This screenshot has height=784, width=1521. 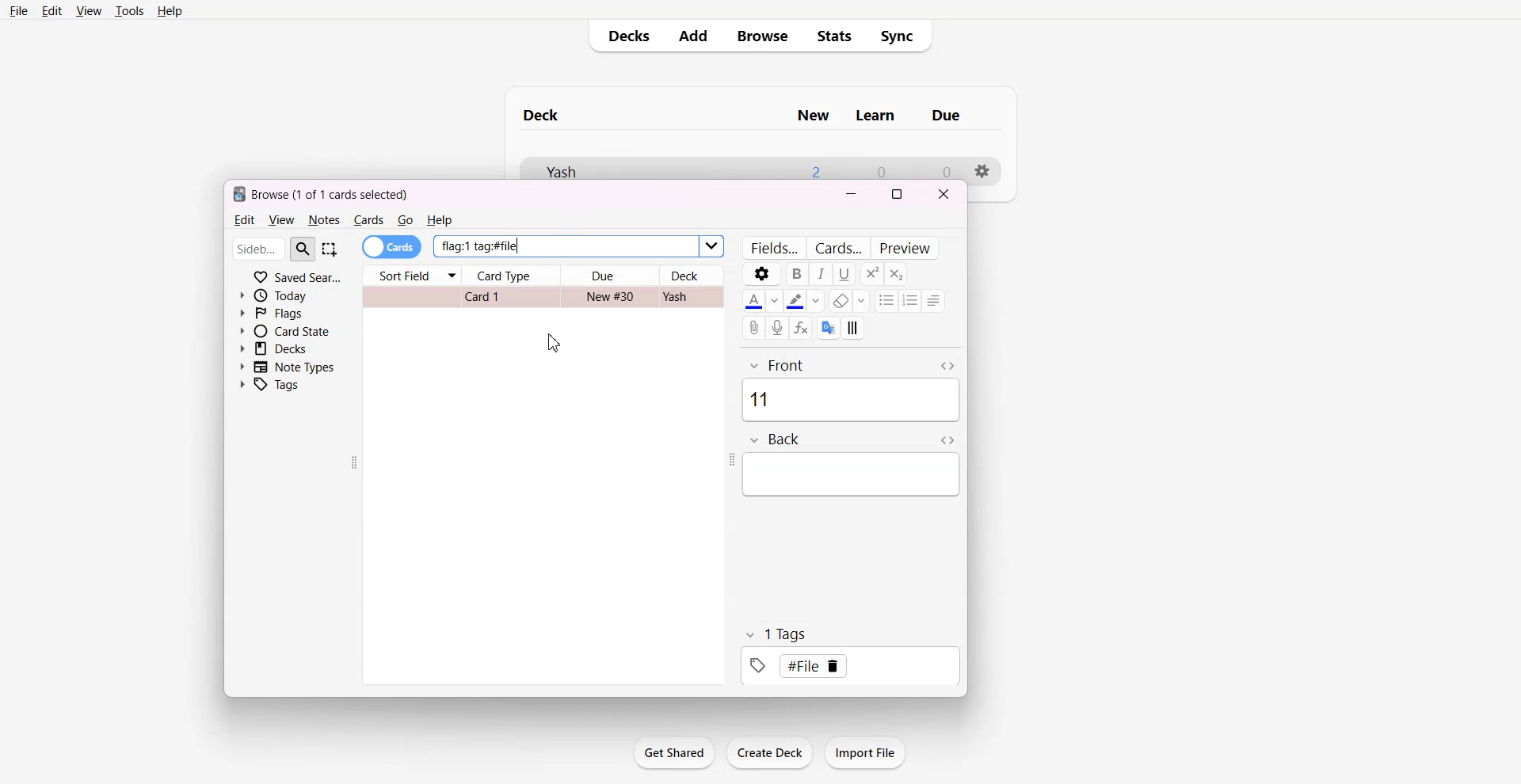 What do you see at coordinates (609, 298) in the screenshot?
I see `new #30` at bounding box center [609, 298].